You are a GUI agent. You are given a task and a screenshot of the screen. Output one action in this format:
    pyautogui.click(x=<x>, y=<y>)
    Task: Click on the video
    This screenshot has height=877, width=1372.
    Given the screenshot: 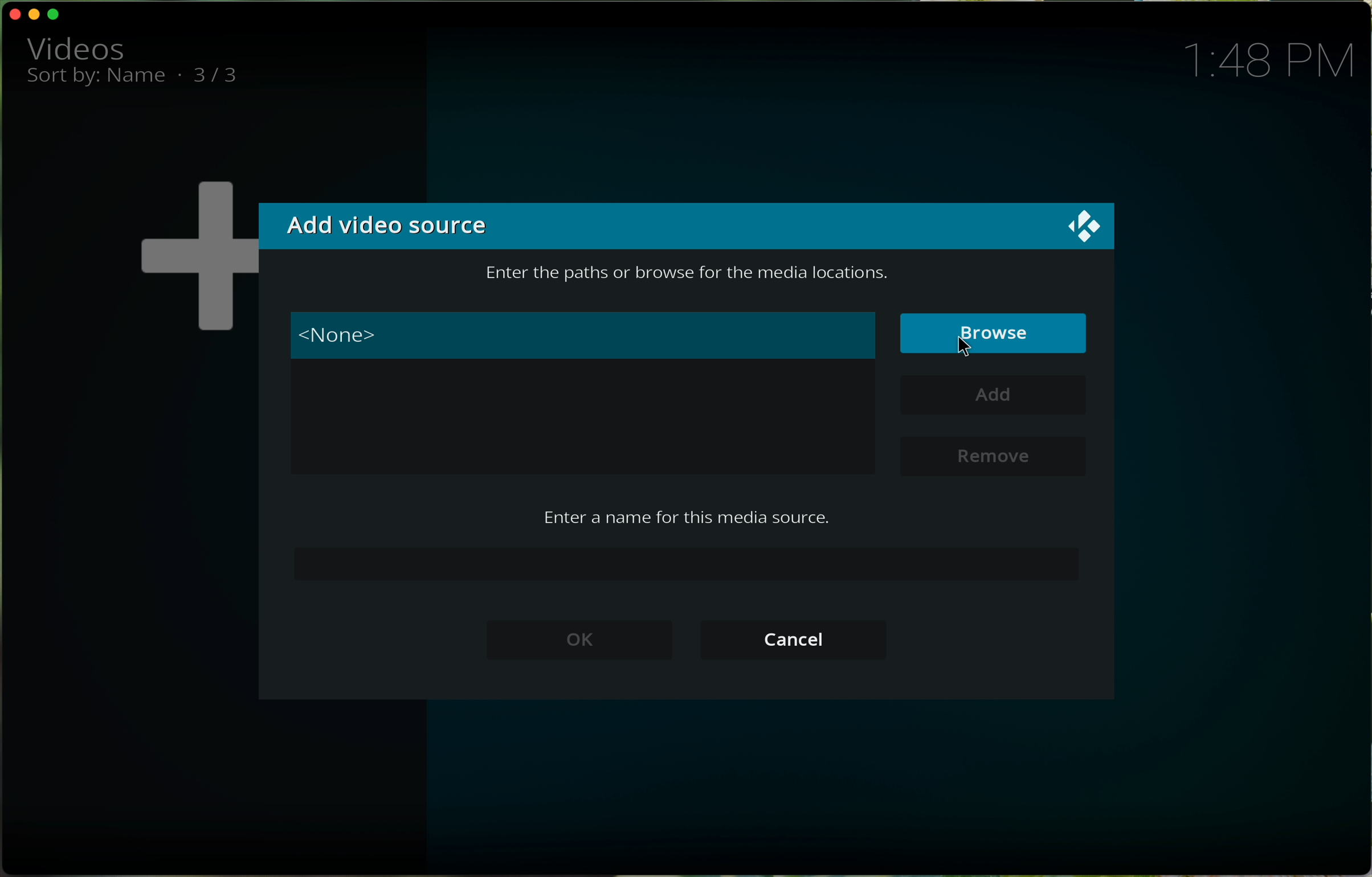 What is the action you would take?
    pyautogui.click(x=75, y=47)
    